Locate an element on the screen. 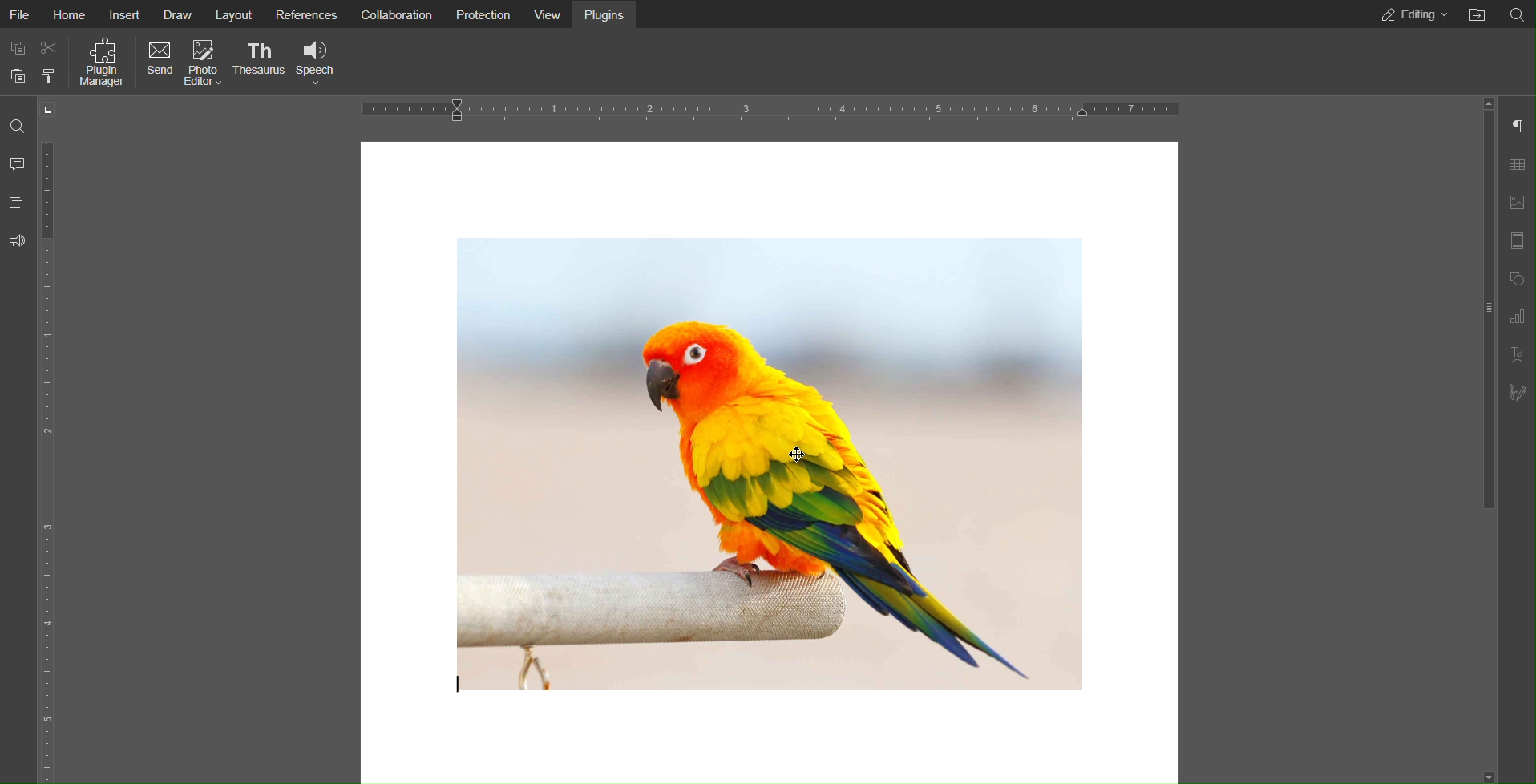 The width and height of the screenshot is (1536, 784). Plugin Manager is located at coordinates (99, 63).